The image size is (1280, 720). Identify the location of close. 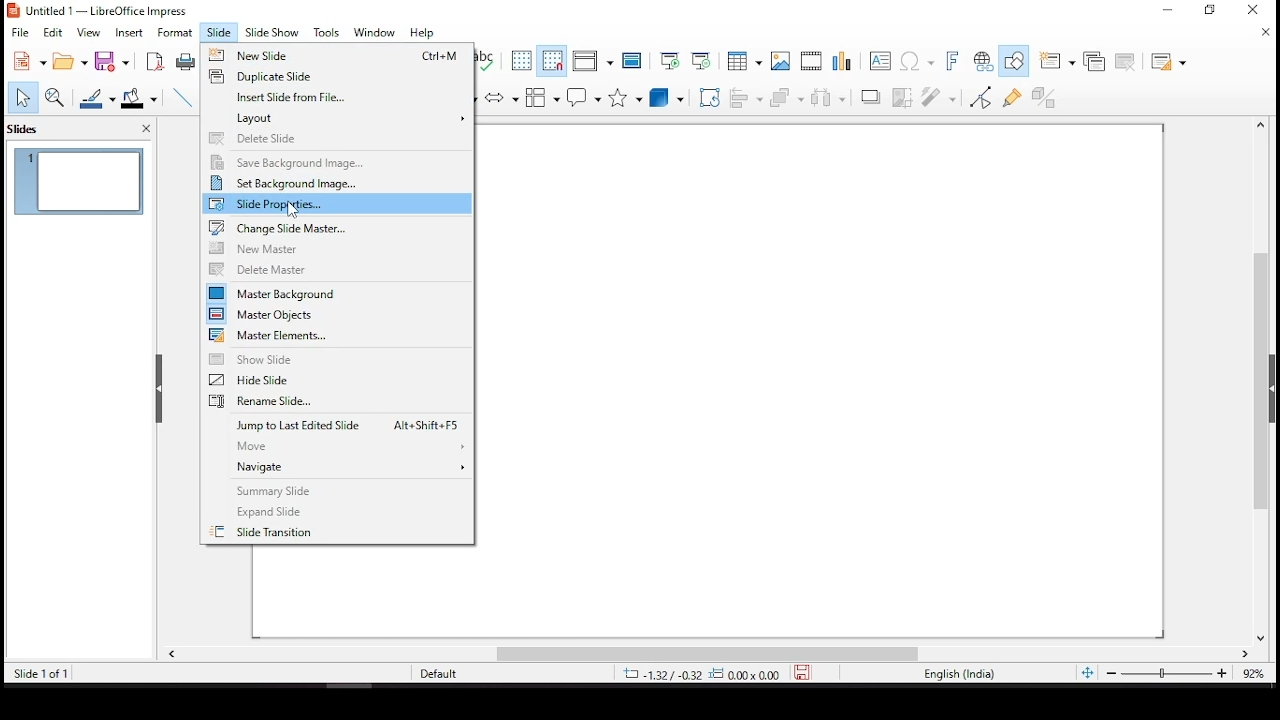
(1263, 31).